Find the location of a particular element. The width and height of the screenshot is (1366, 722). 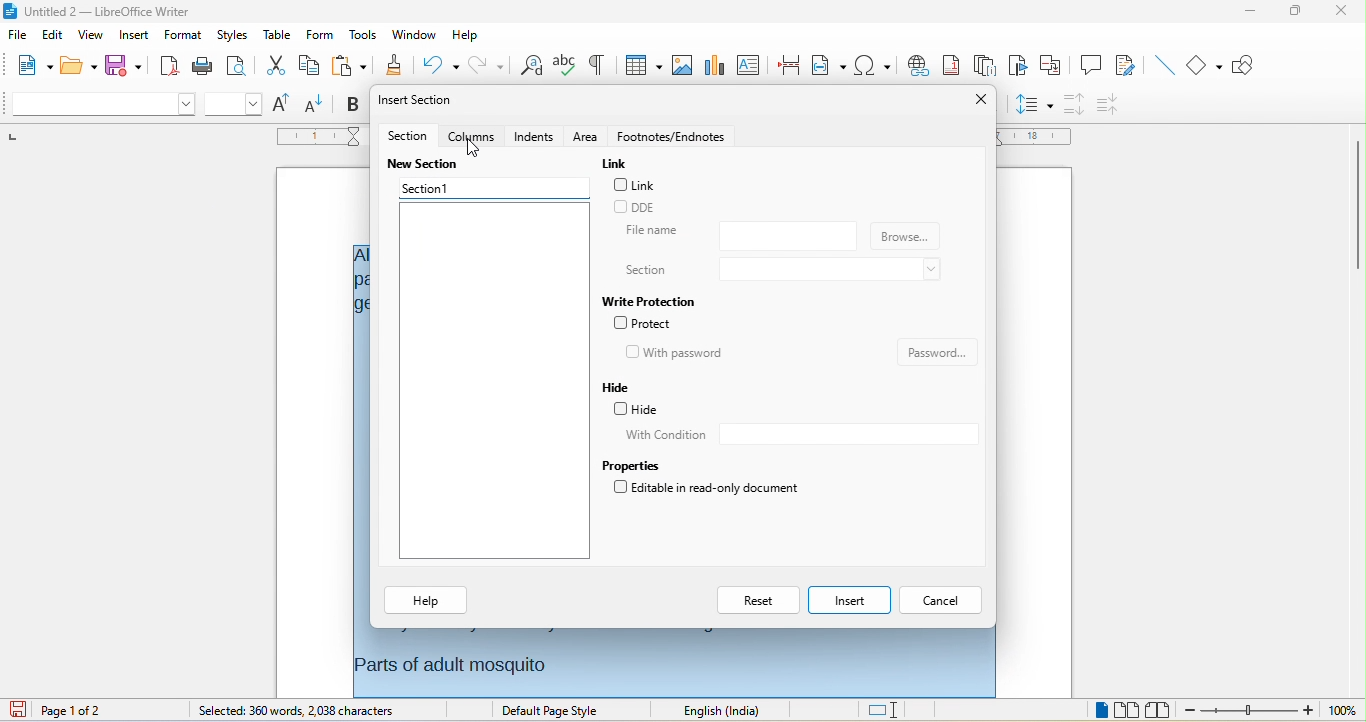

link is located at coordinates (637, 185).